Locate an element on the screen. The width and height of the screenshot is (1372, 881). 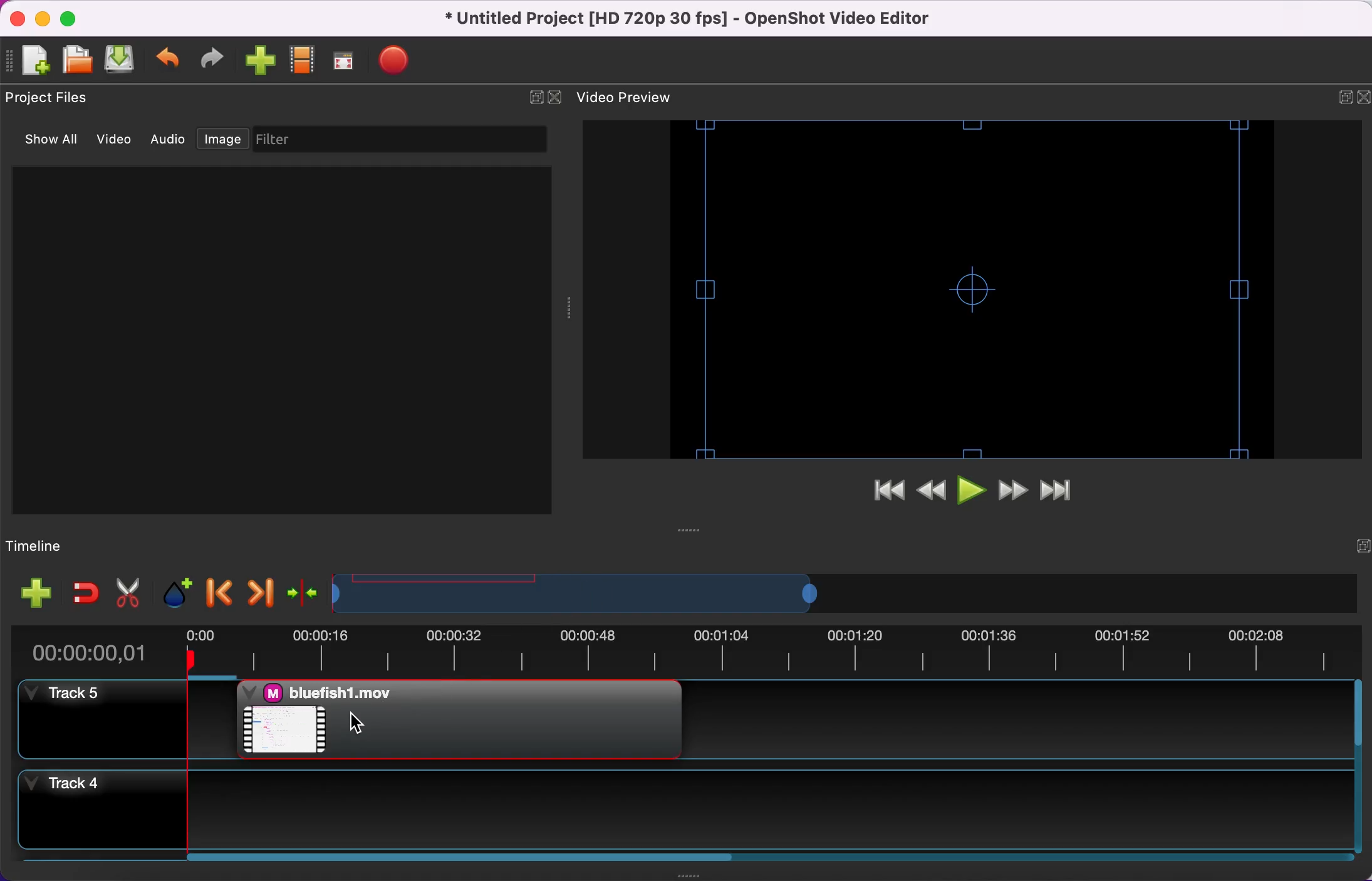
timeline is located at coordinates (589, 590).